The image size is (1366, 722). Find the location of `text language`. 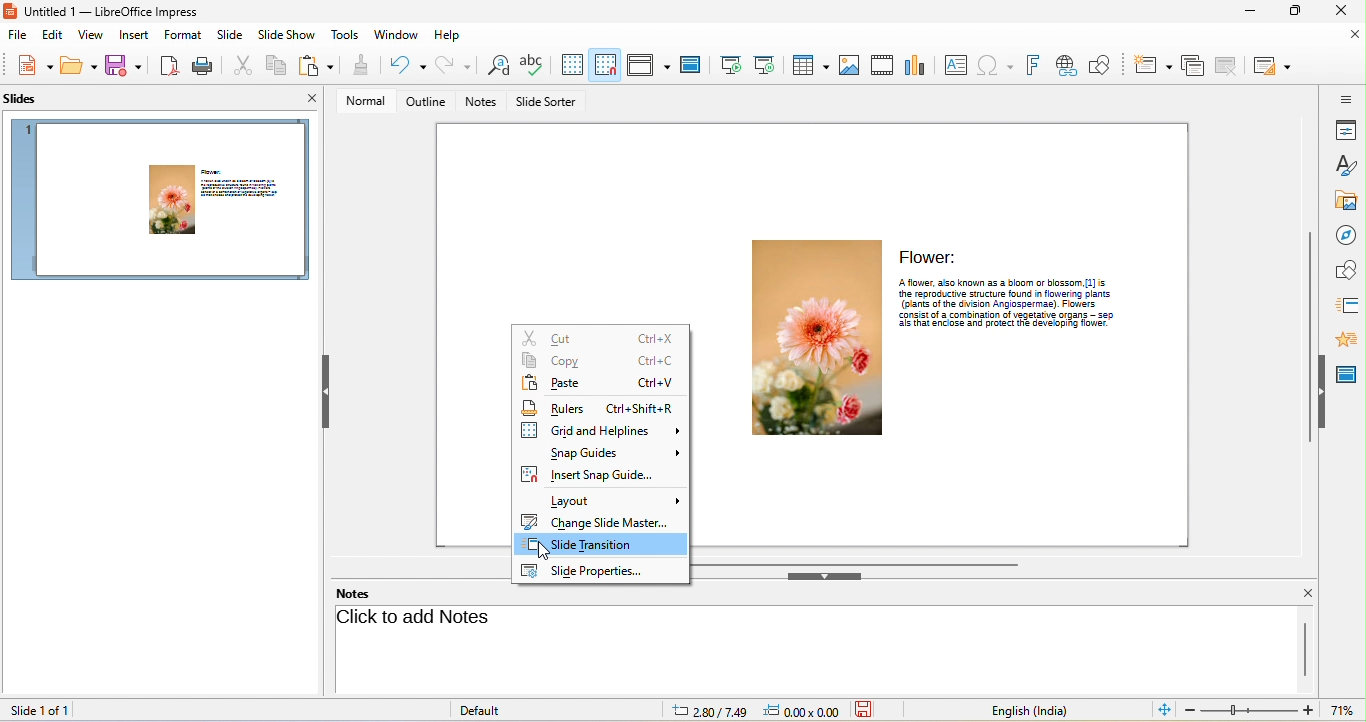

text language is located at coordinates (1018, 712).